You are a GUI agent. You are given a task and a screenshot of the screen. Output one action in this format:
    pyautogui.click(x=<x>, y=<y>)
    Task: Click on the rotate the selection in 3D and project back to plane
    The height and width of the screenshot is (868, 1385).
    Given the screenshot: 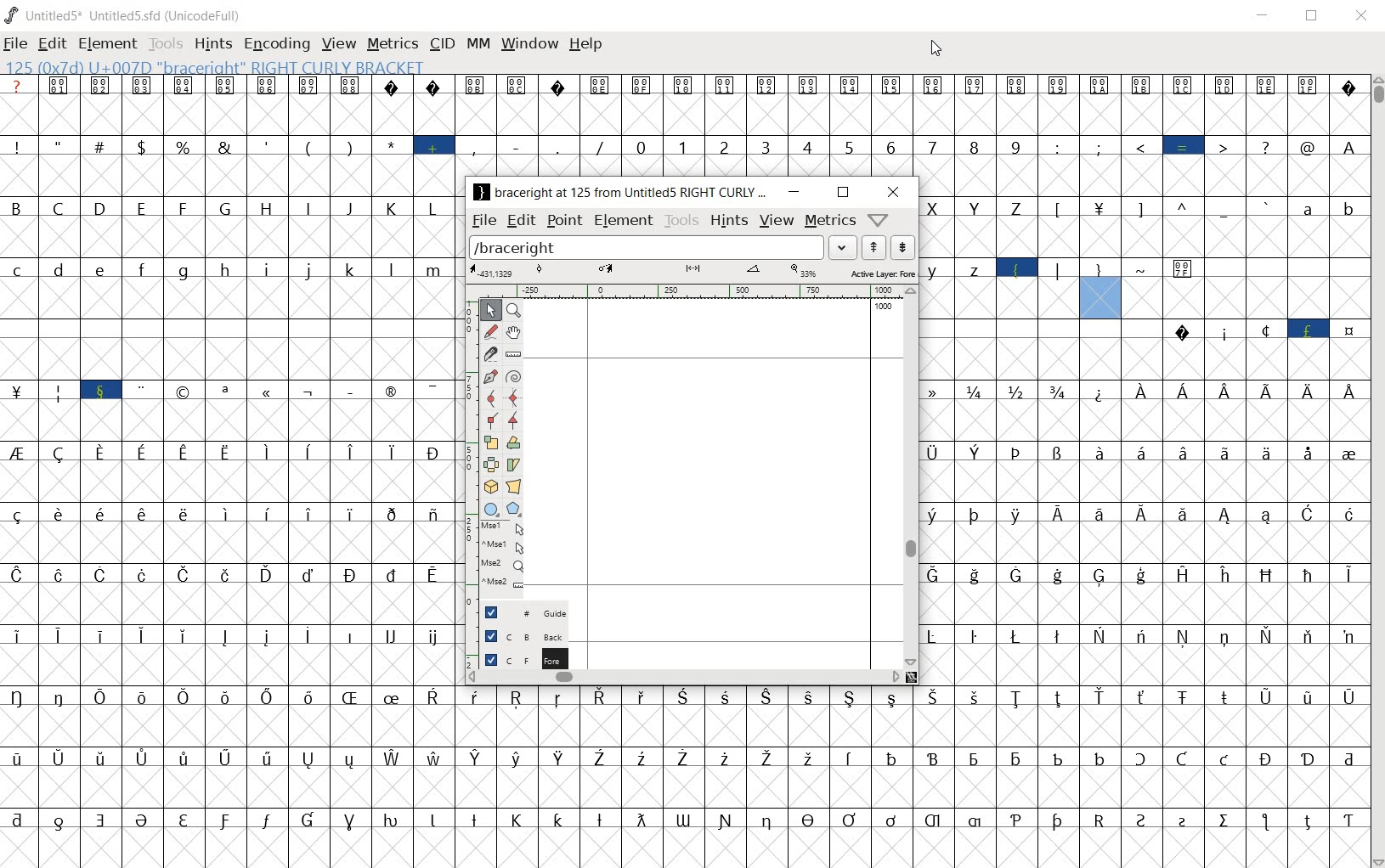 What is the action you would take?
    pyautogui.click(x=489, y=487)
    